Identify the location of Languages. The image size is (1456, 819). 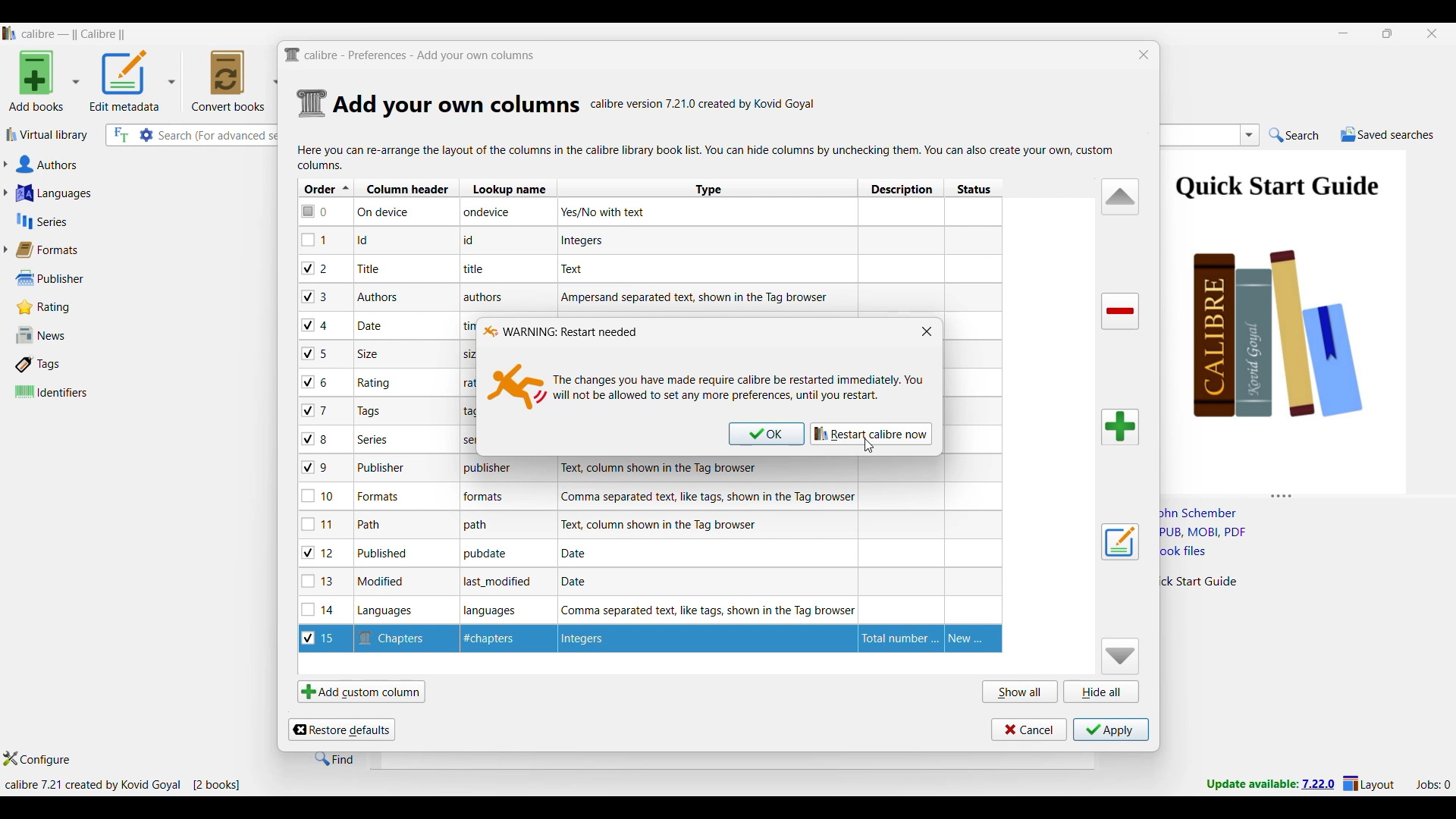
(115, 193).